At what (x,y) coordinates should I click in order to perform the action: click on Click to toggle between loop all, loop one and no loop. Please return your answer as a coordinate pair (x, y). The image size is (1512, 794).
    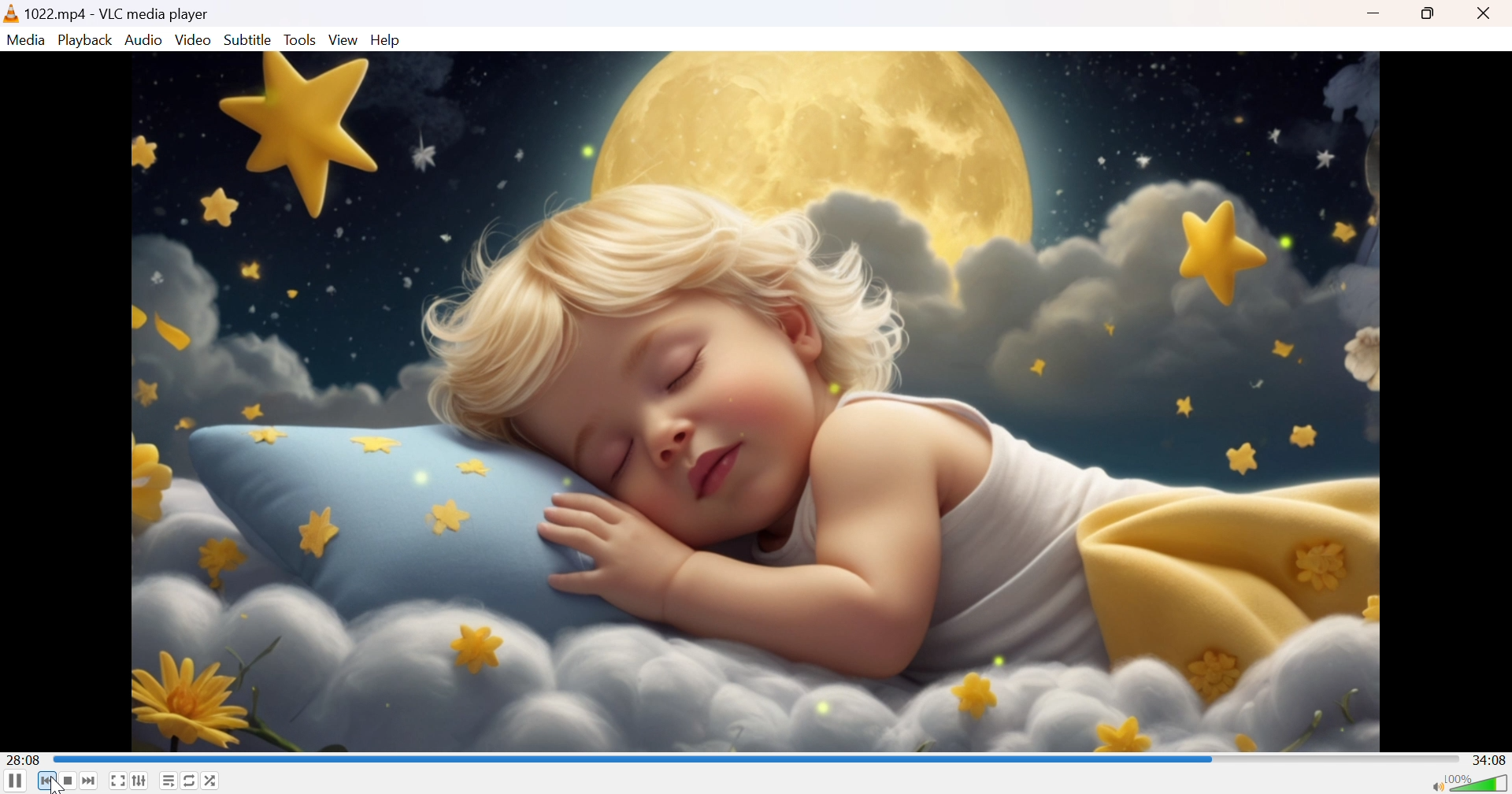
    Looking at the image, I should click on (188, 779).